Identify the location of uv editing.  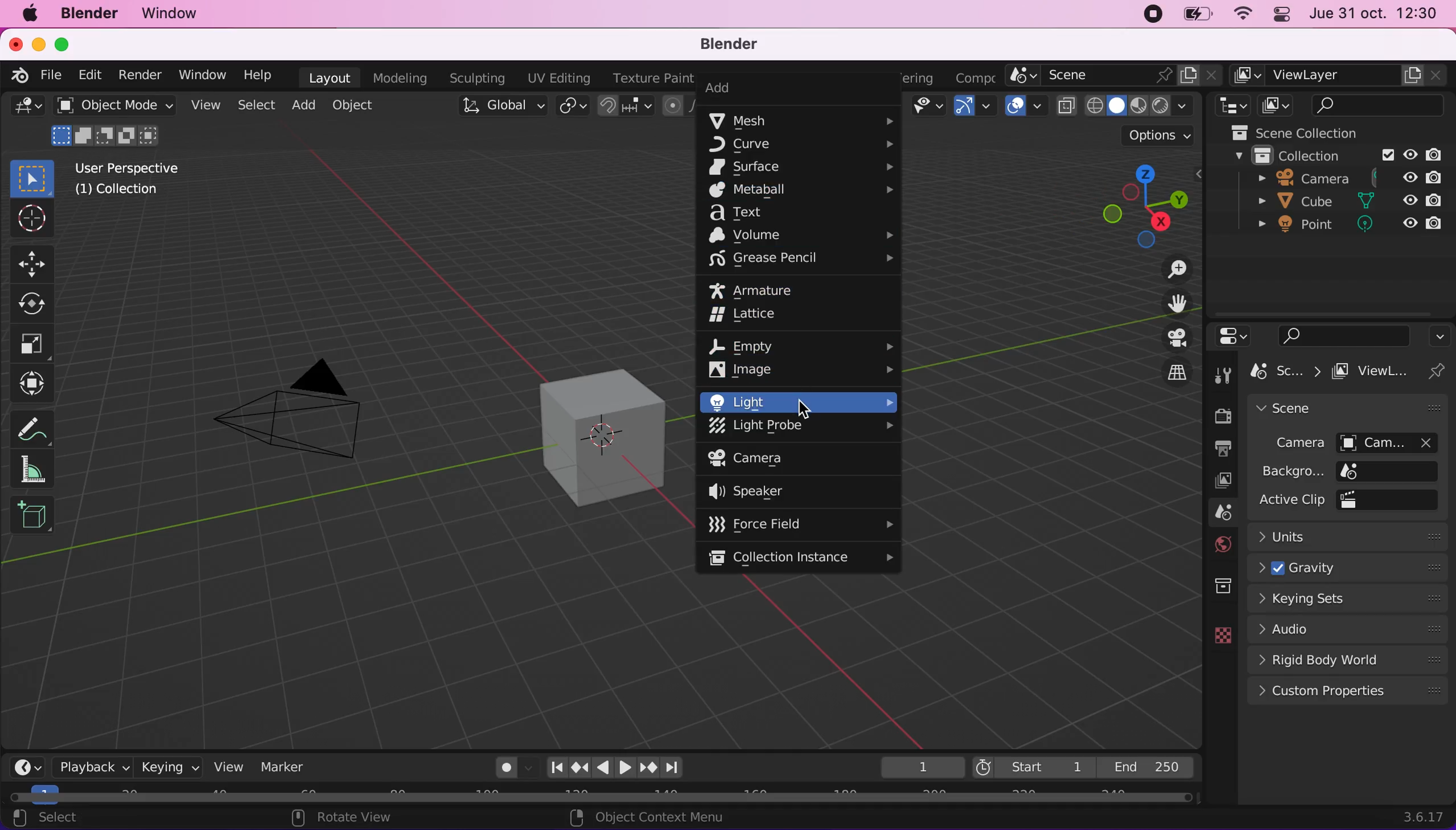
(560, 79).